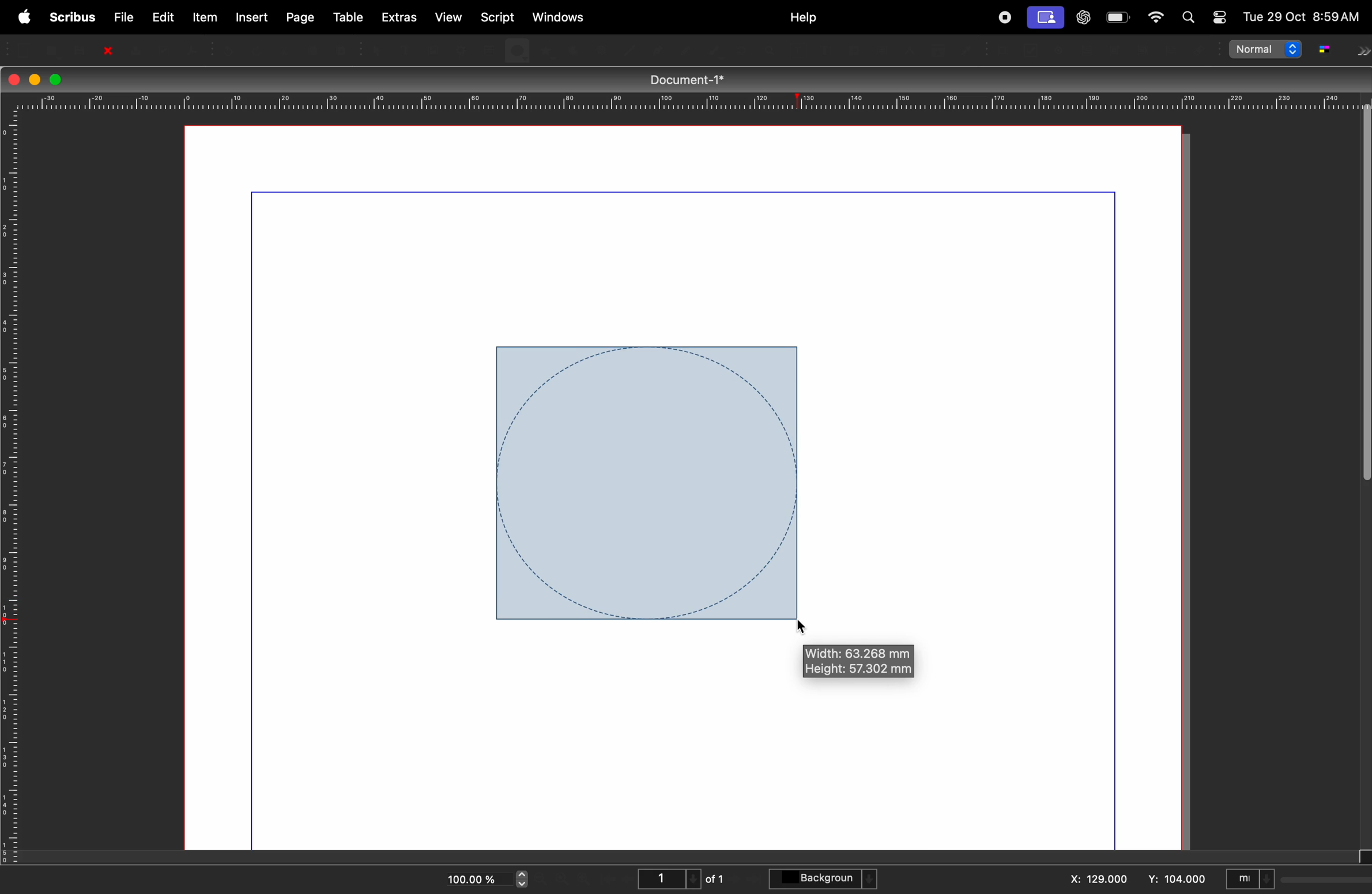 This screenshot has height=894, width=1372. I want to click on g, so click(1324, 50).